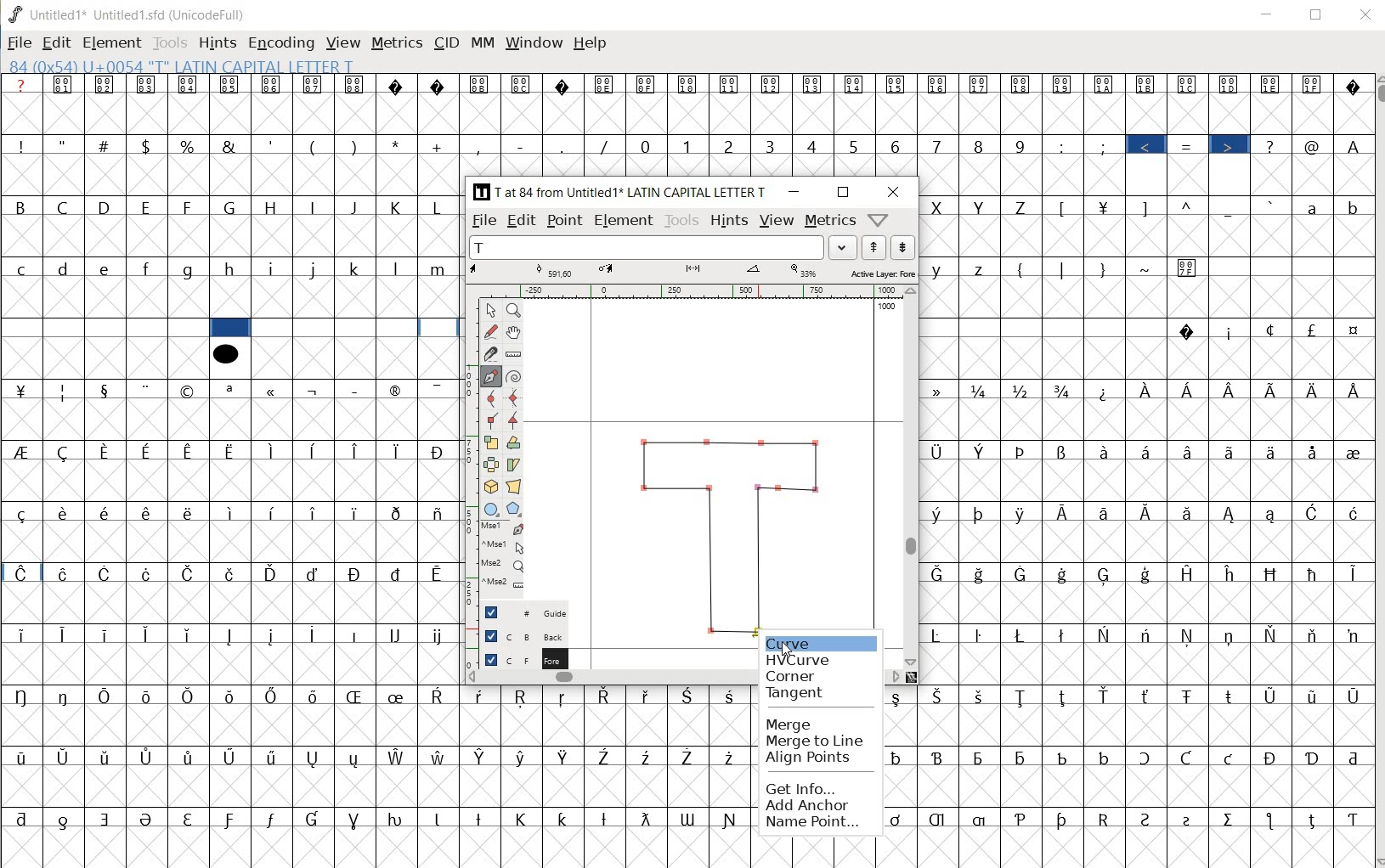  I want to click on Symbol, so click(1148, 697).